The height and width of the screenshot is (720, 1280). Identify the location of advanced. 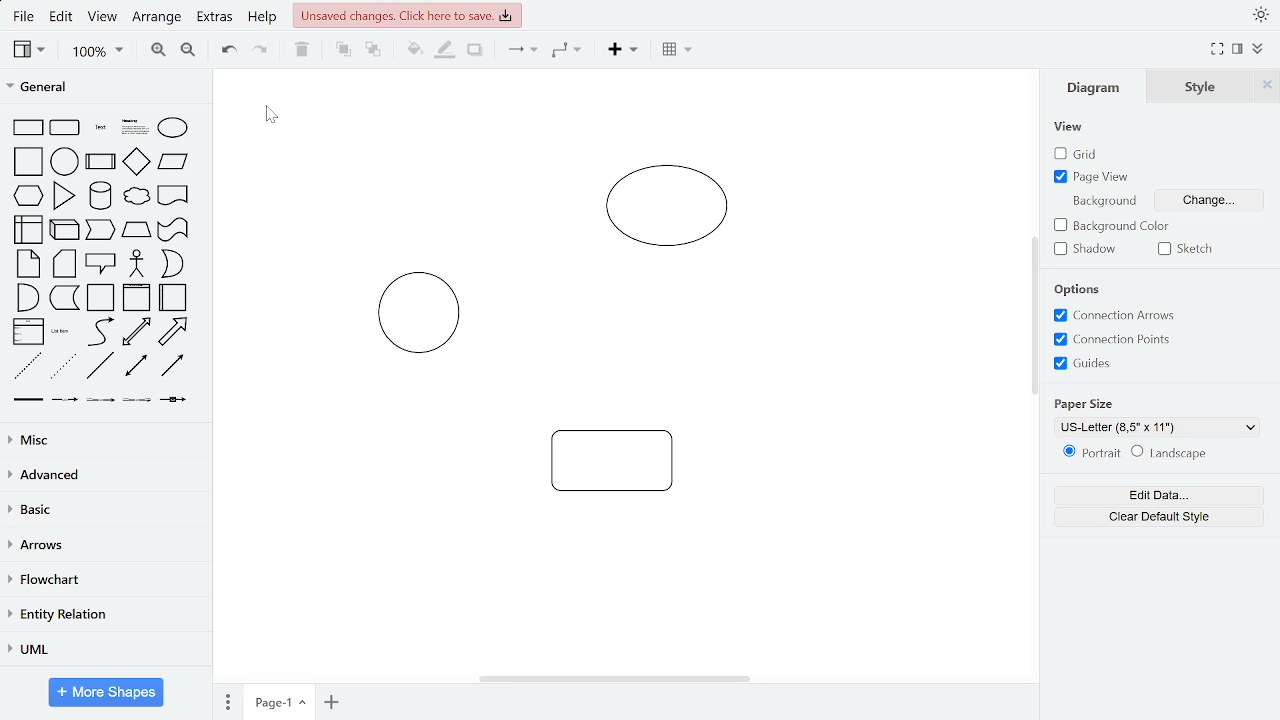
(102, 475).